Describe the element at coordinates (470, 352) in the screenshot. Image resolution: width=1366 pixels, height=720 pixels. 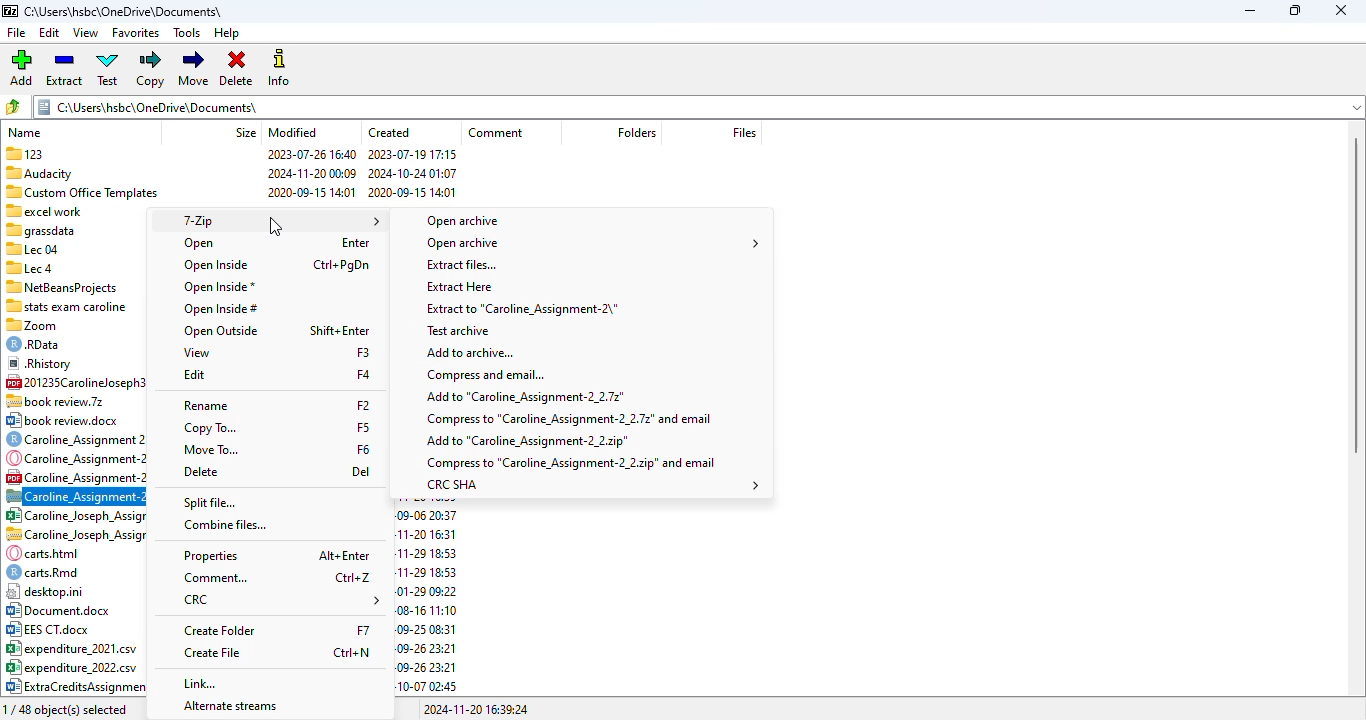
I see `add to archive` at that location.